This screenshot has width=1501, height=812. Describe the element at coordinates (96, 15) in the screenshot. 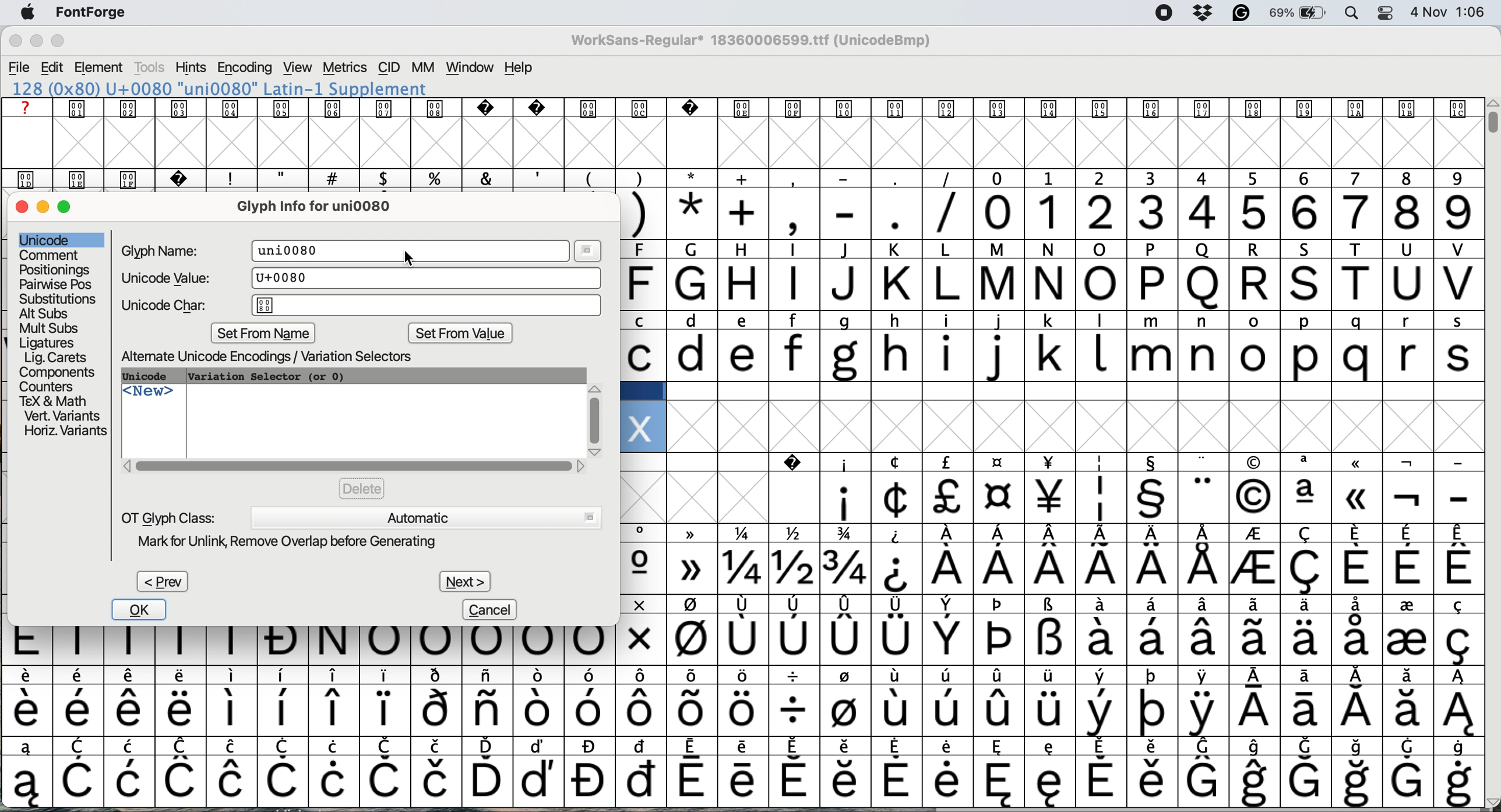

I see `fontforge` at that location.